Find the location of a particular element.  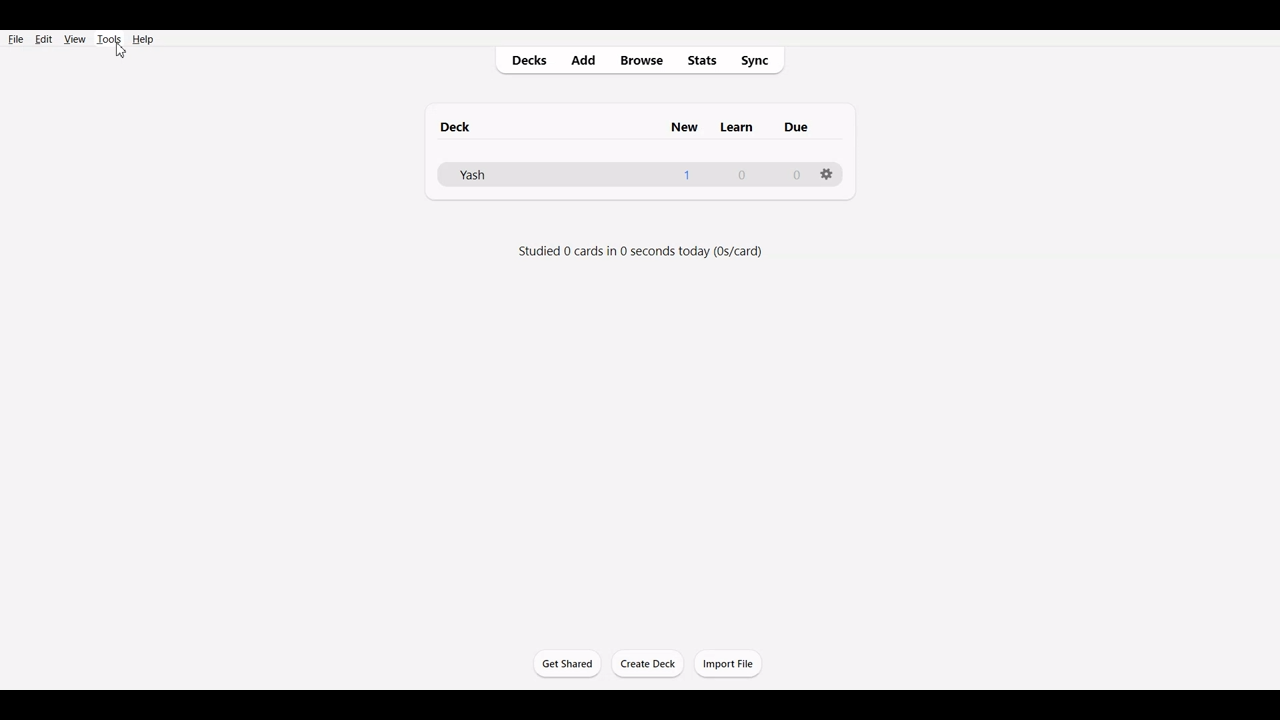

Edit is located at coordinates (43, 39).